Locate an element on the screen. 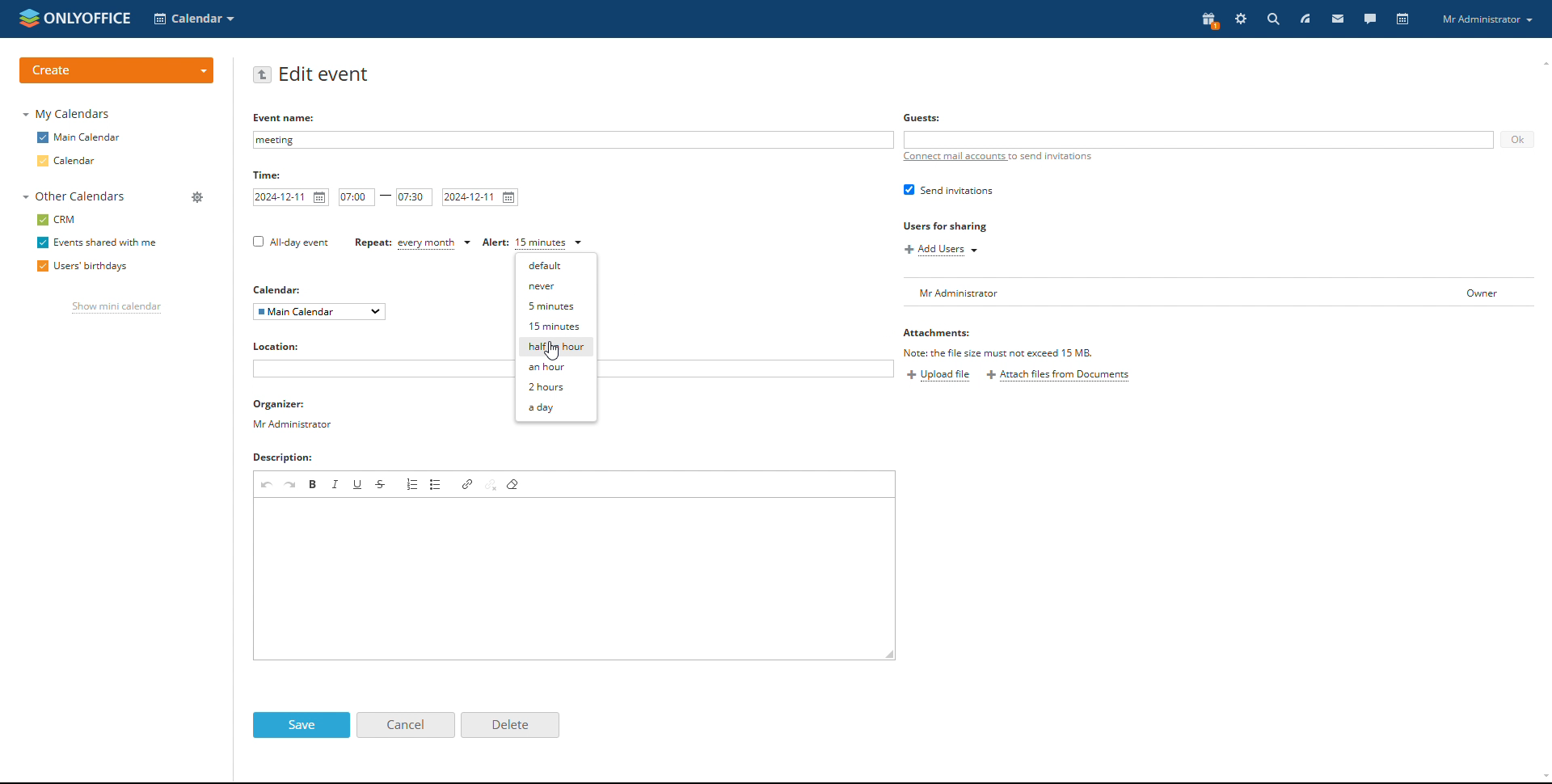 This screenshot has height=784, width=1552. add users is located at coordinates (942, 251).